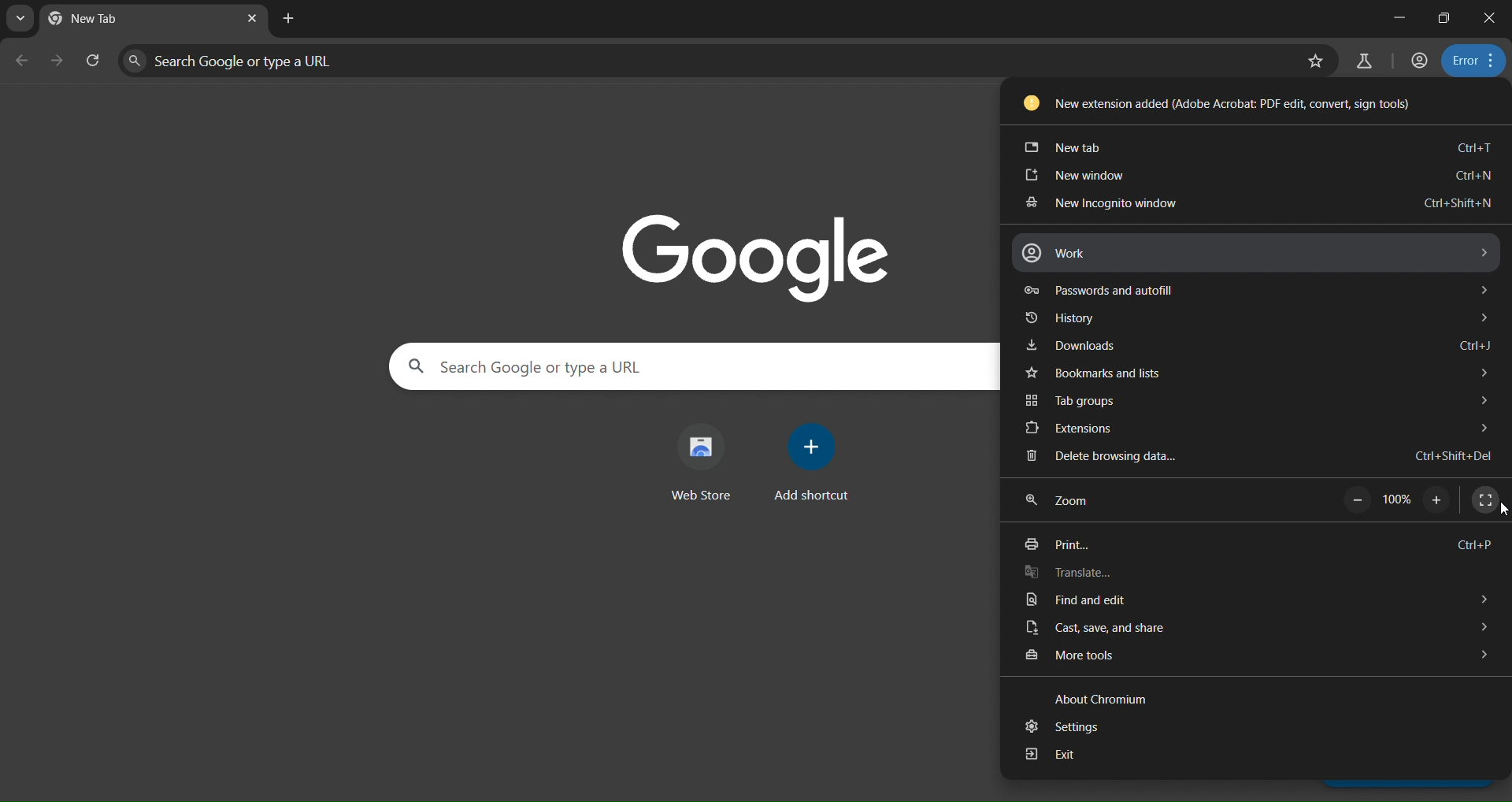 This screenshot has height=802, width=1512. Describe the element at coordinates (1258, 571) in the screenshot. I see `translate` at that location.